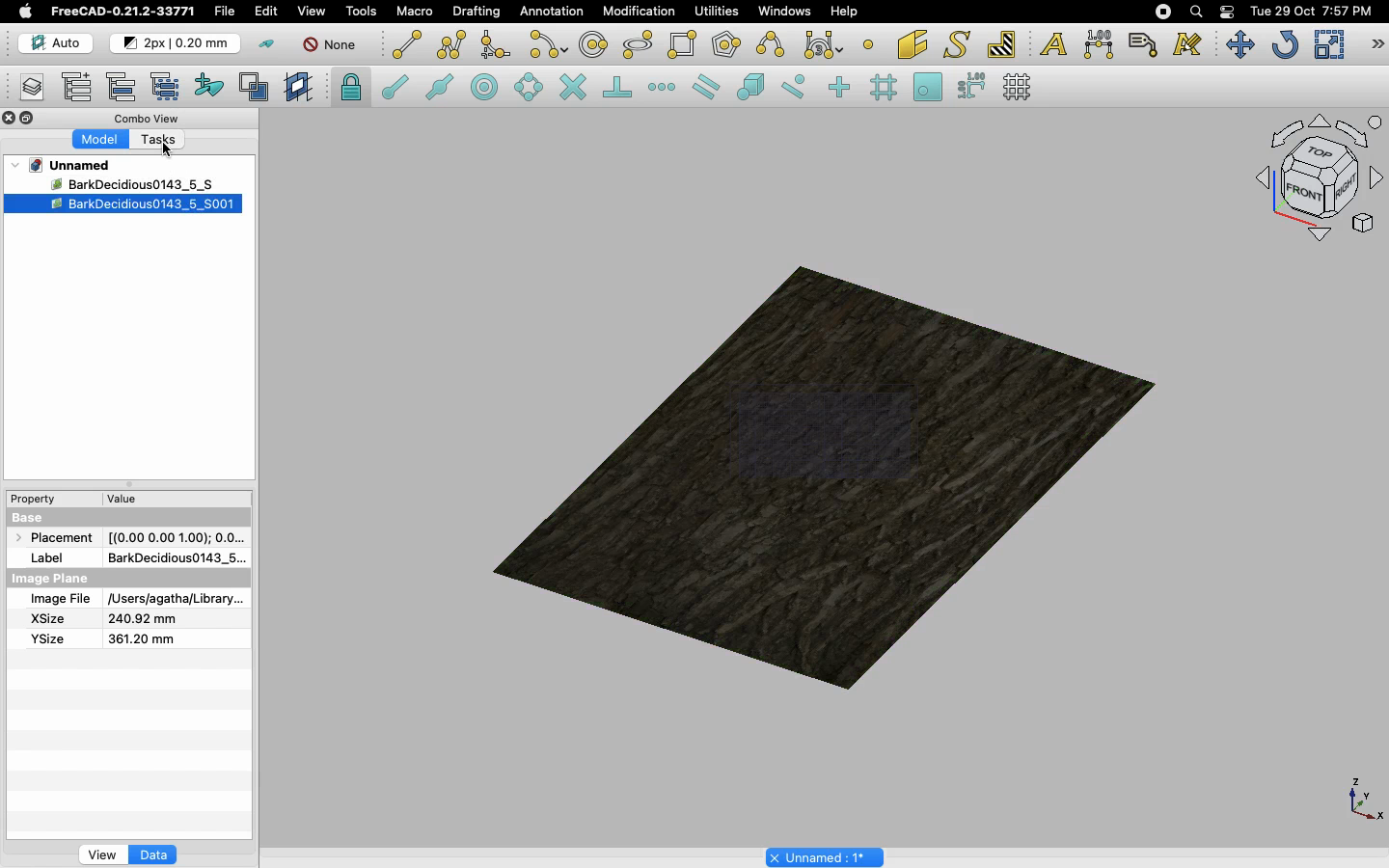 This screenshot has height=868, width=1389. Describe the element at coordinates (57, 43) in the screenshot. I see `Auto` at that location.